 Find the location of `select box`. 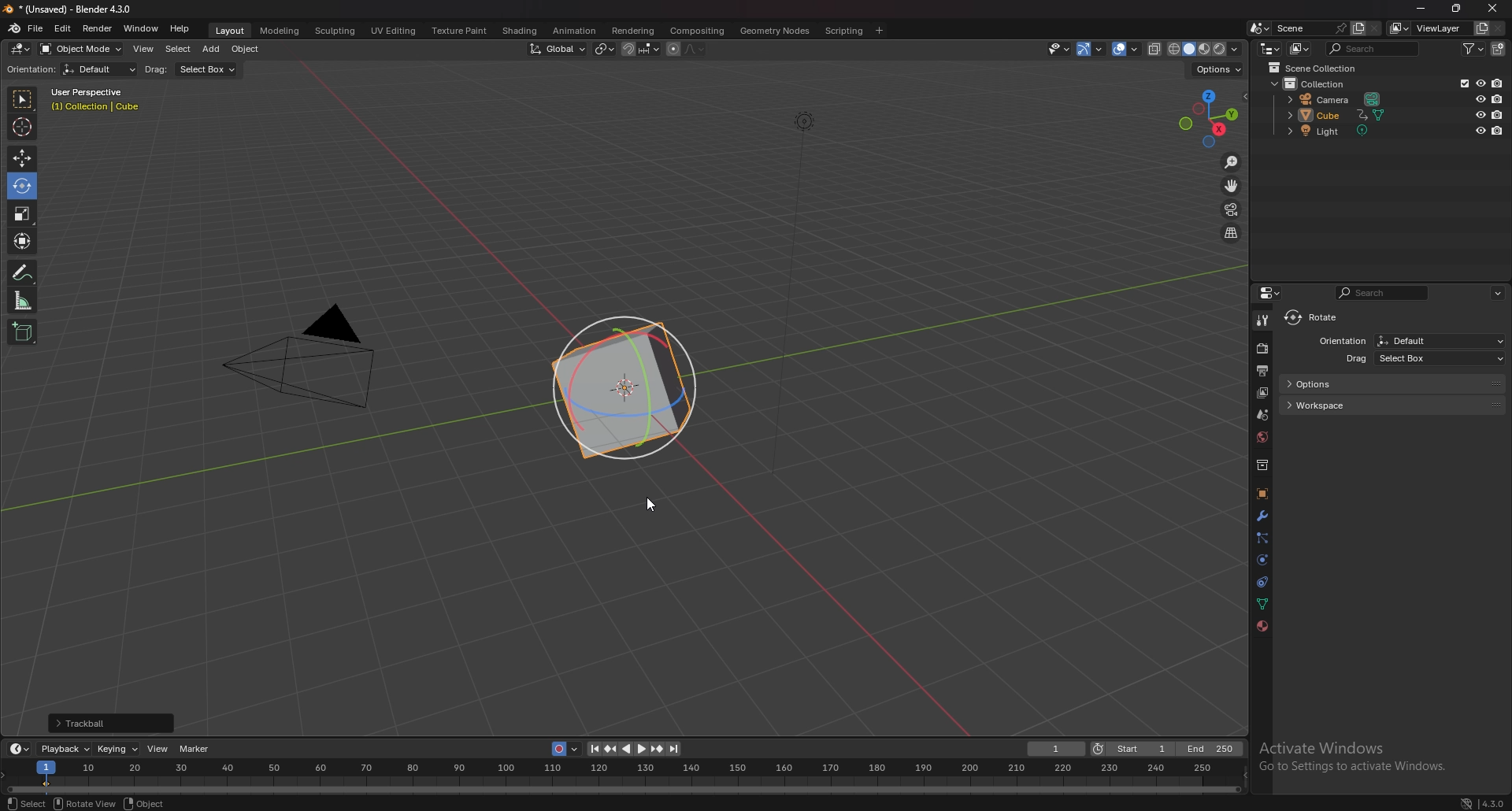

select box is located at coordinates (1322, 317).